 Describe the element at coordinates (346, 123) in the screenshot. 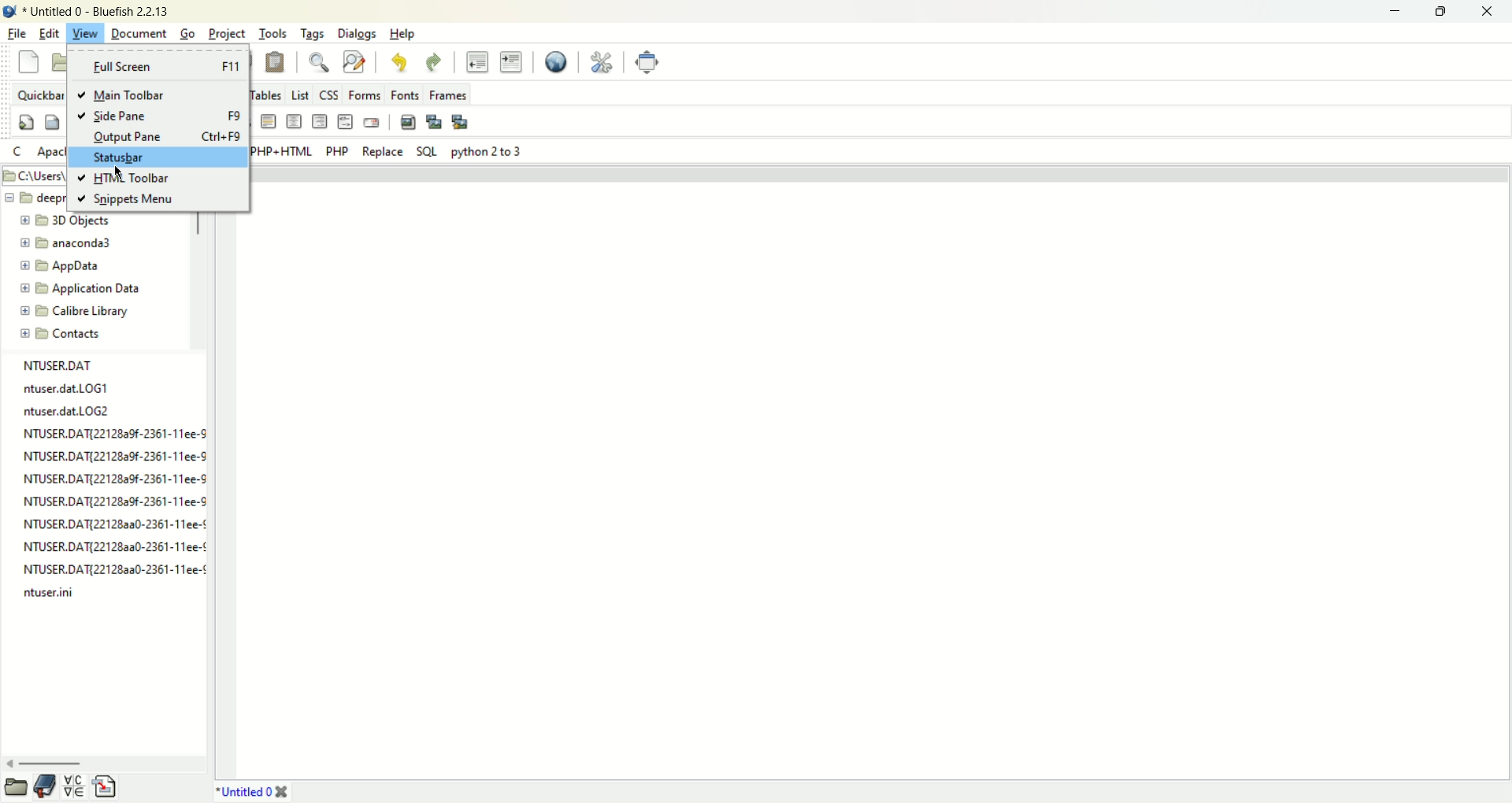

I see `html comment` at that location.